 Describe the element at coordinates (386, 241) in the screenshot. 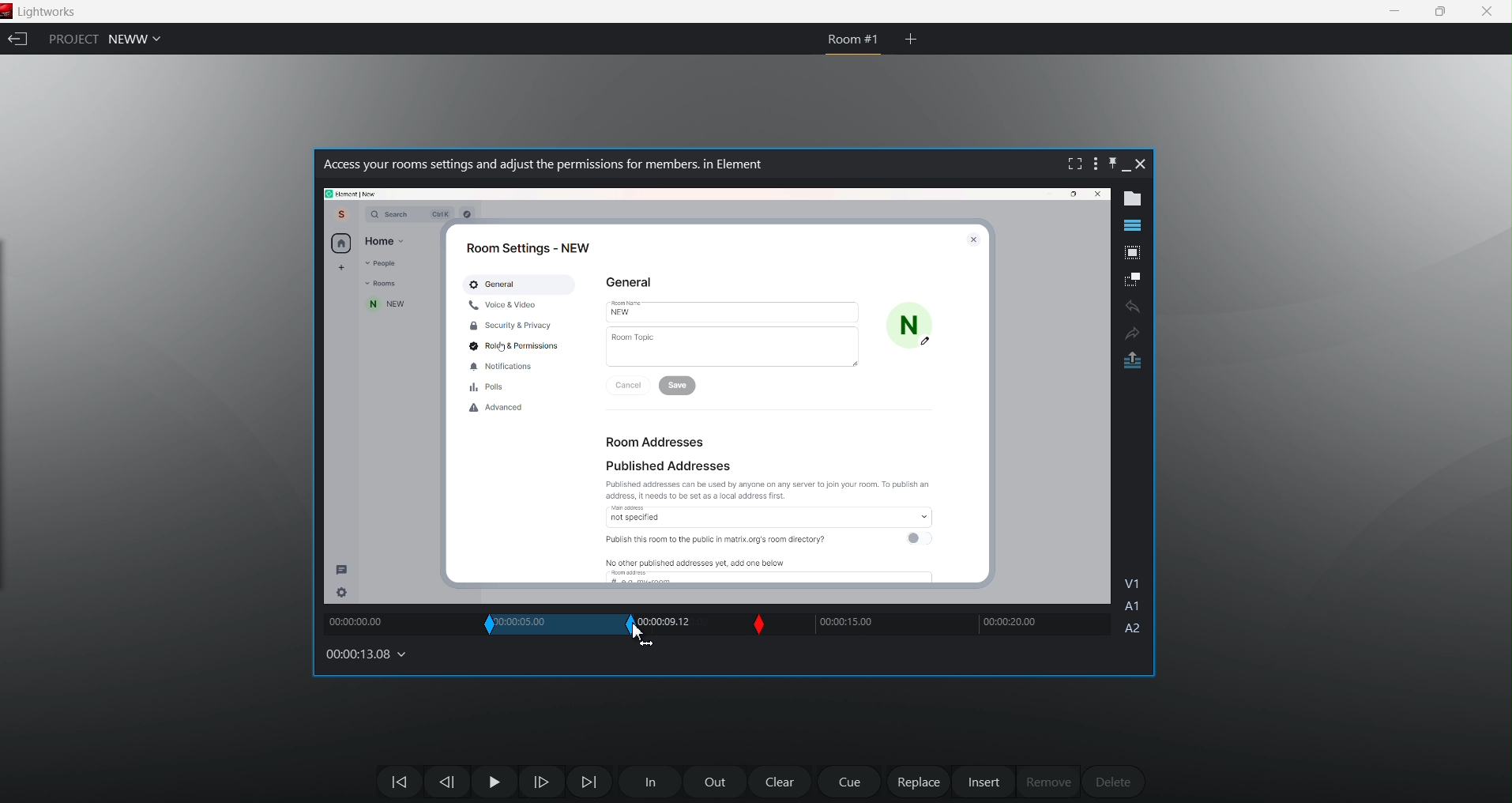

I see `Home` at that location.